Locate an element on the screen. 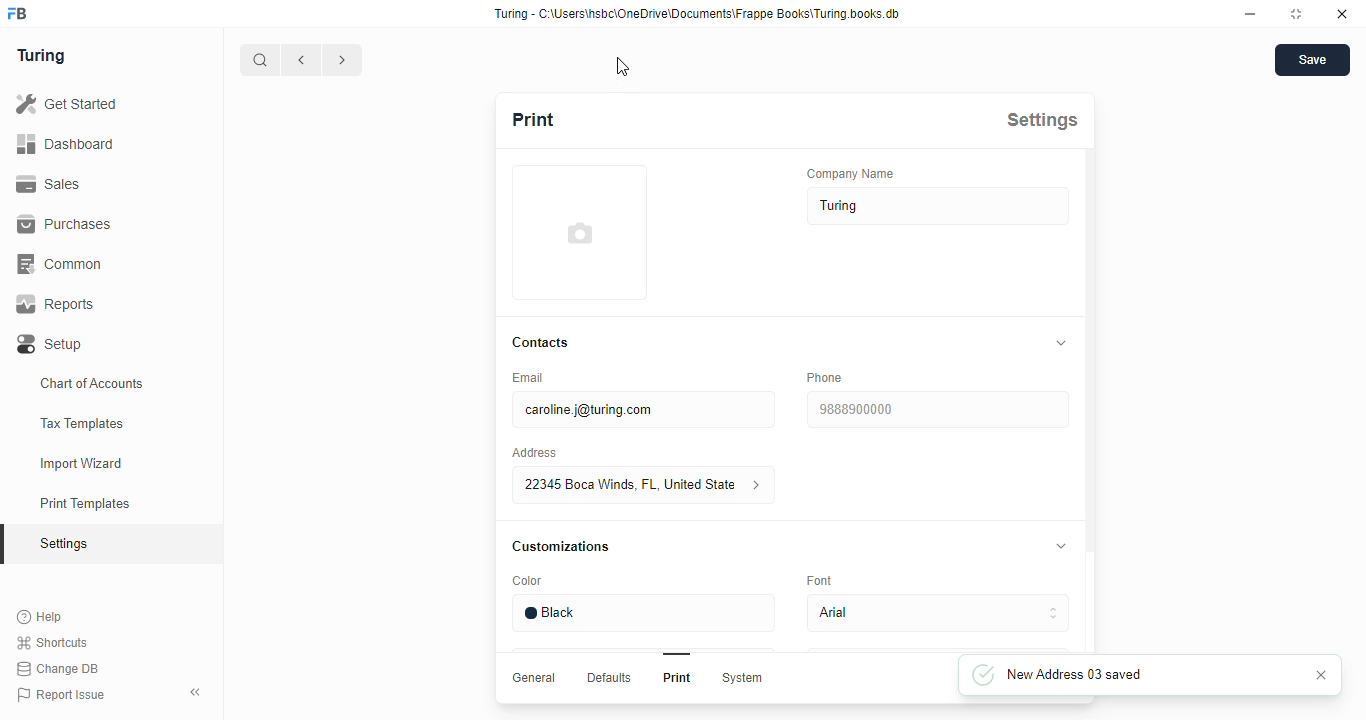 This screenshot has height=720, width=1366. print is located at coordinates (534, 119).